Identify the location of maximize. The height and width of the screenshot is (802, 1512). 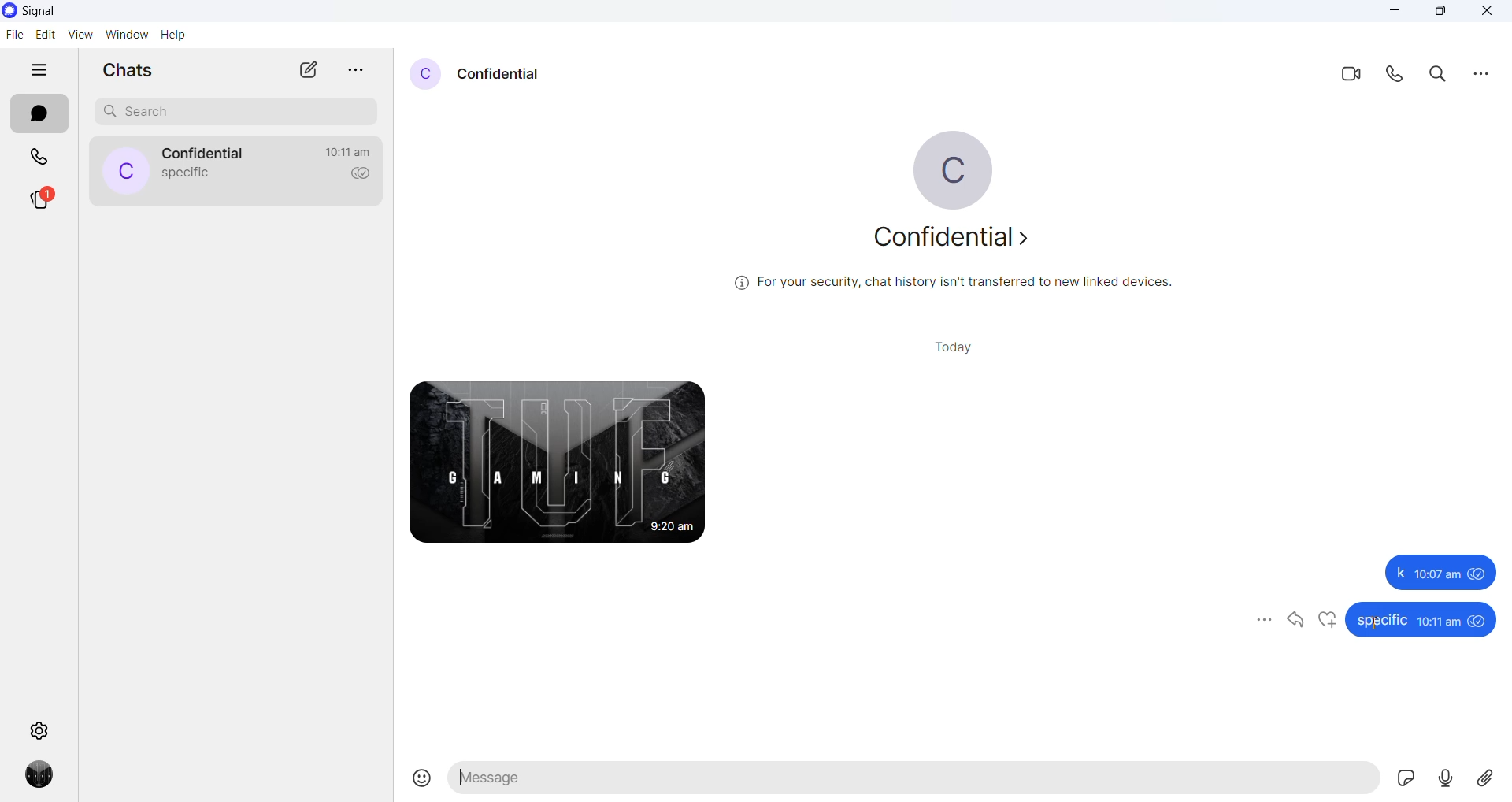
(1440, 12).